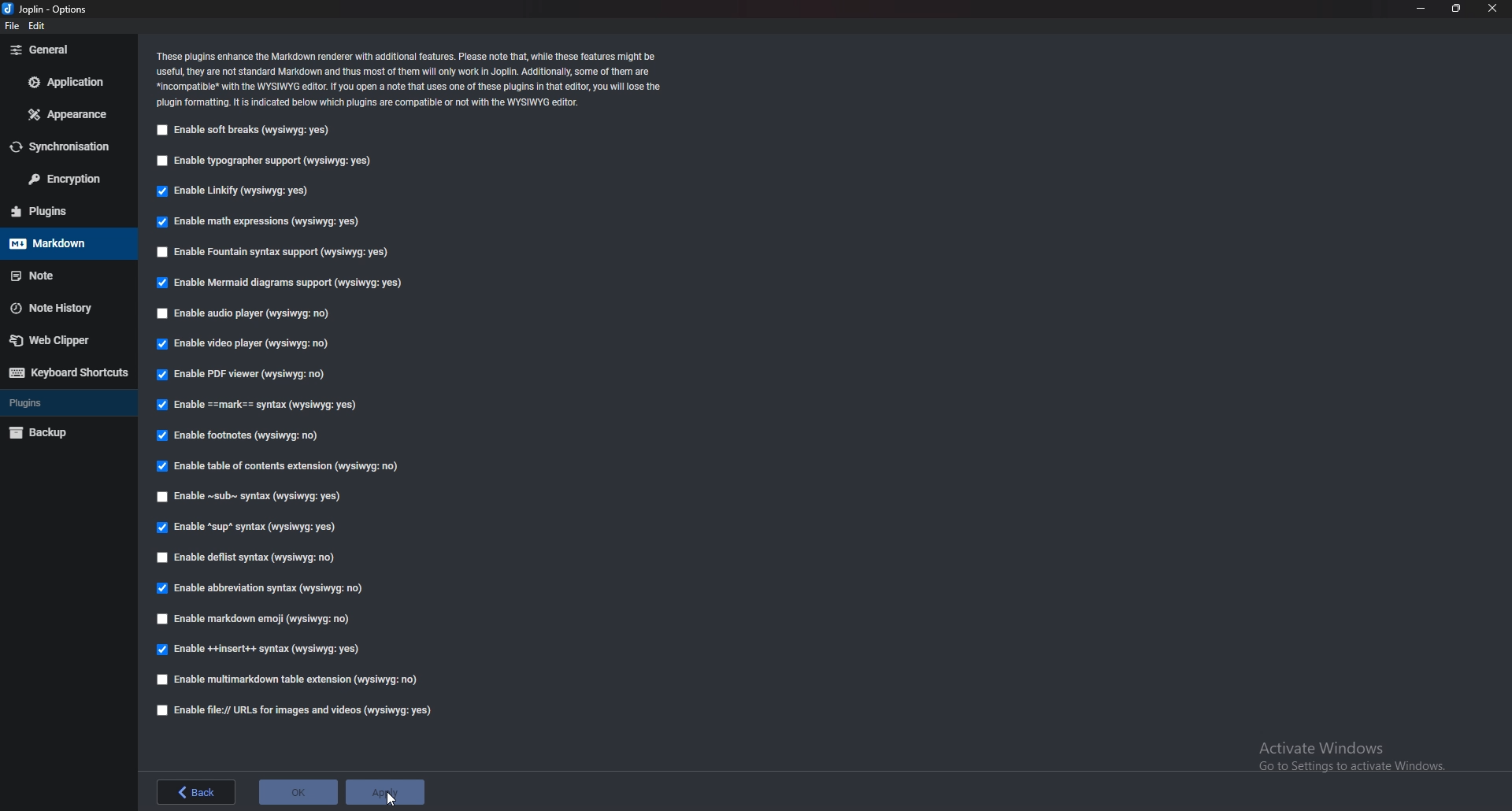 This screenshot has height=811, width=1512. What do you see at coordinates (65, 179) in the screenshot?
I see `Encryption` at bounding box center [65, 179].